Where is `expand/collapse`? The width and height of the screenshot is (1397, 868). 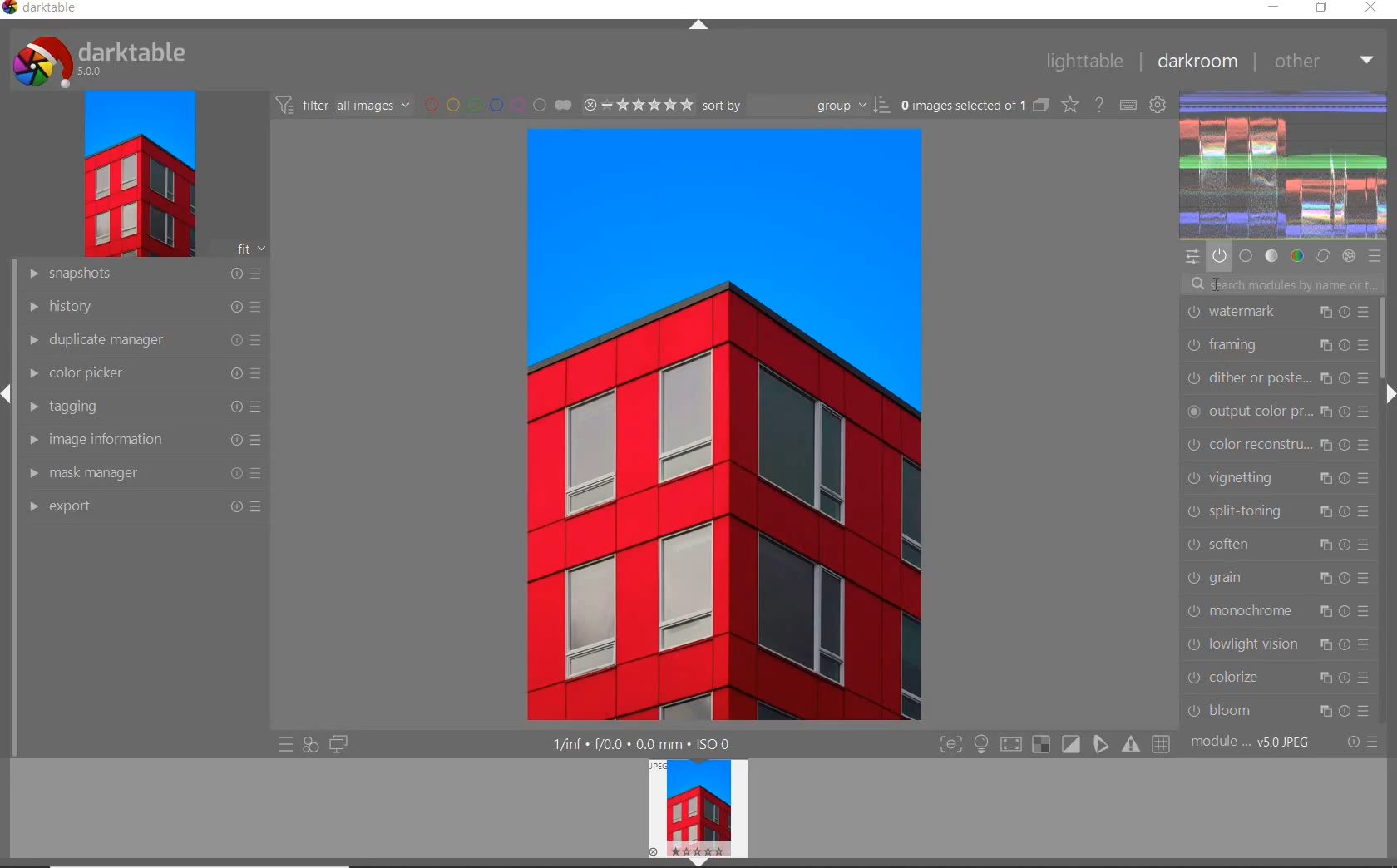
expand/collapse is located at coordinates (699, 26).